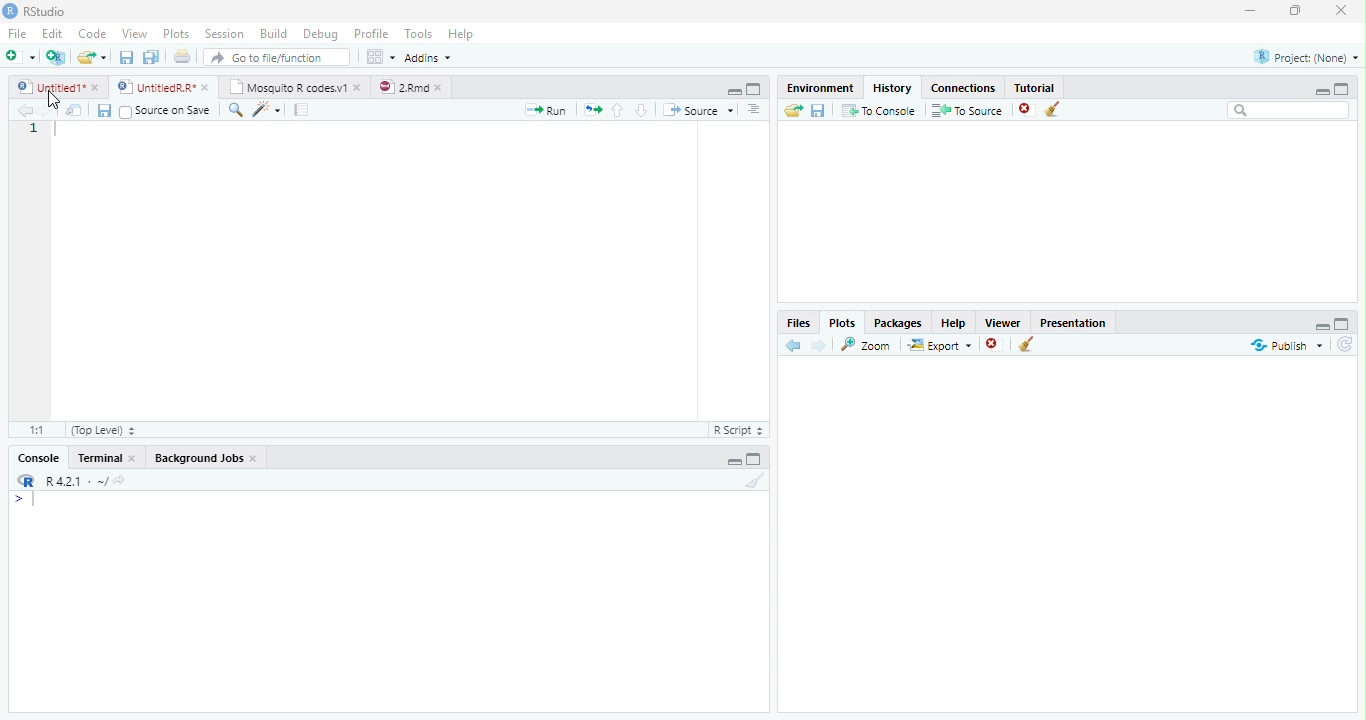  I want to click on Clear, so click(754, 480).